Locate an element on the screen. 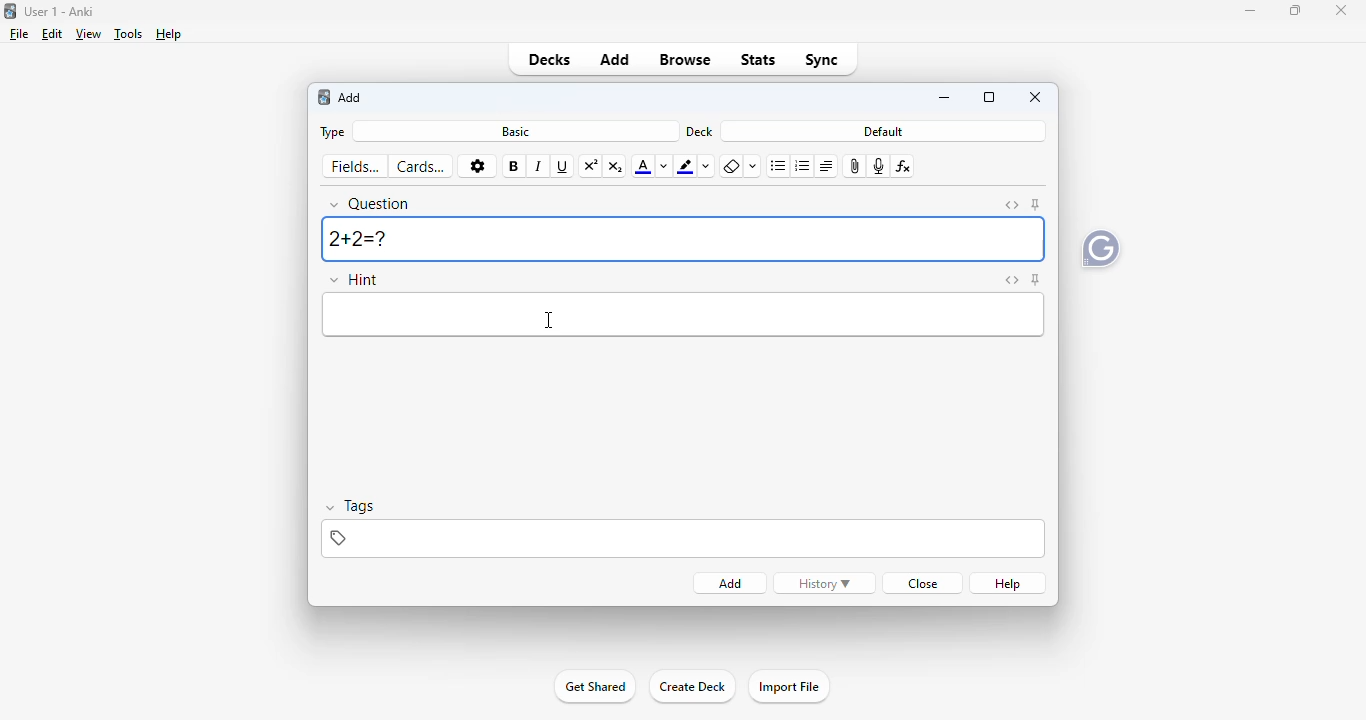 The image size is (1366, 720). change color is located at coordinates (664, 167).